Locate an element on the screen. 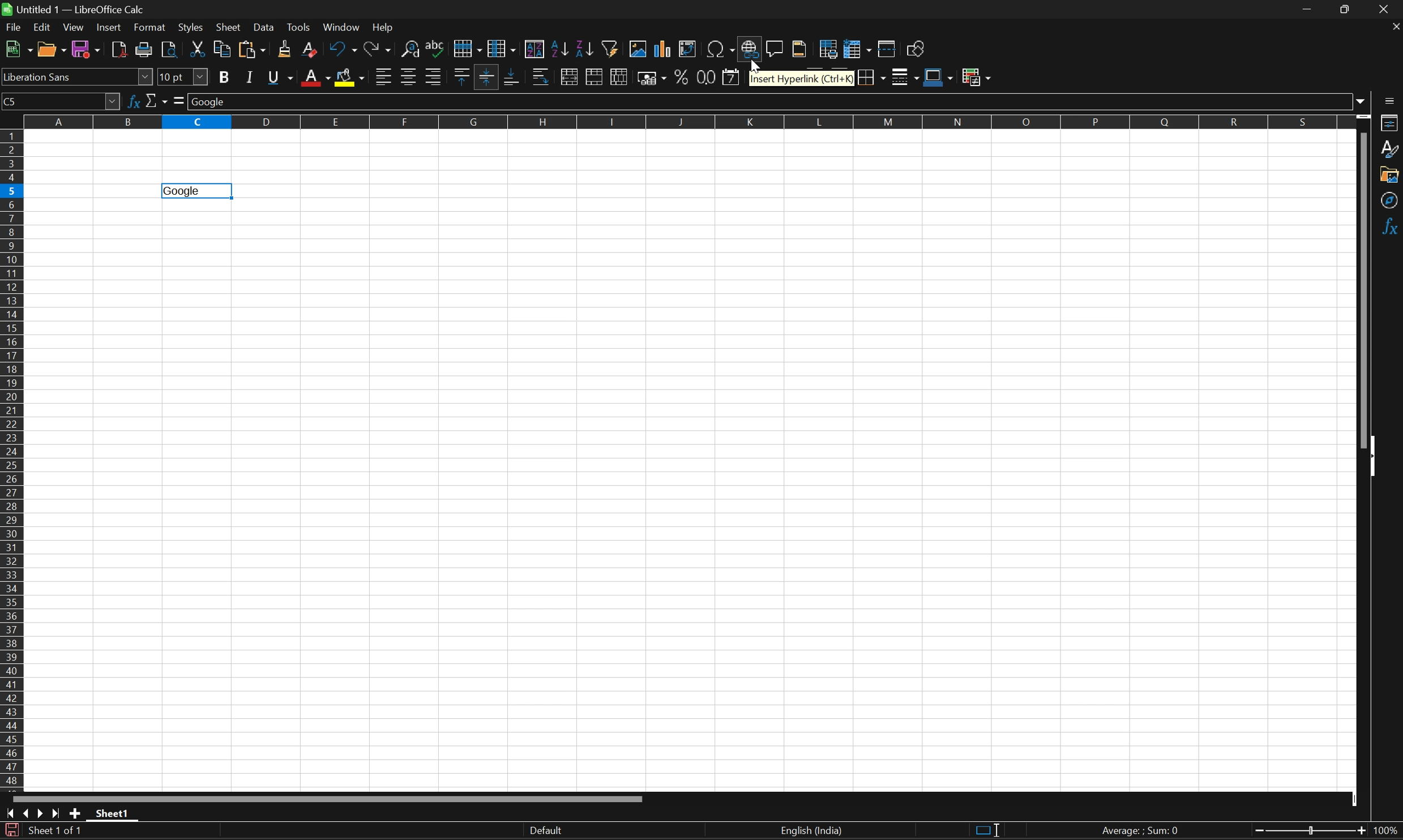 Image resolution: width=1403 pixels, height=840 pixels. Format as currency is located at coordinates (652, 78).